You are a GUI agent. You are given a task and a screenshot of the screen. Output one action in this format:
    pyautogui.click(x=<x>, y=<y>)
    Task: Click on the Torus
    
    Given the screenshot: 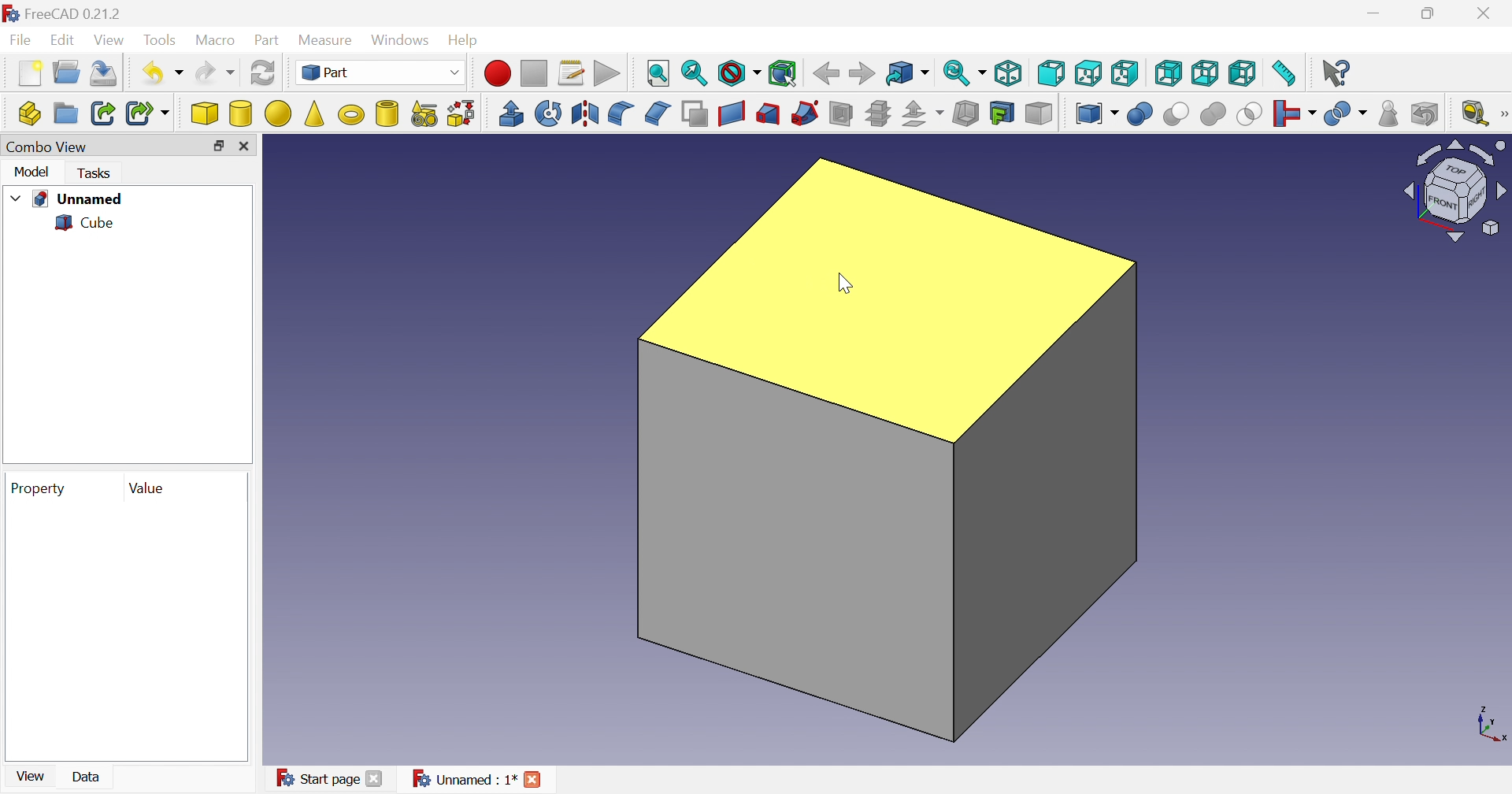 What is the action you would take?
    pyautogui.click(x=354, y=117)
    